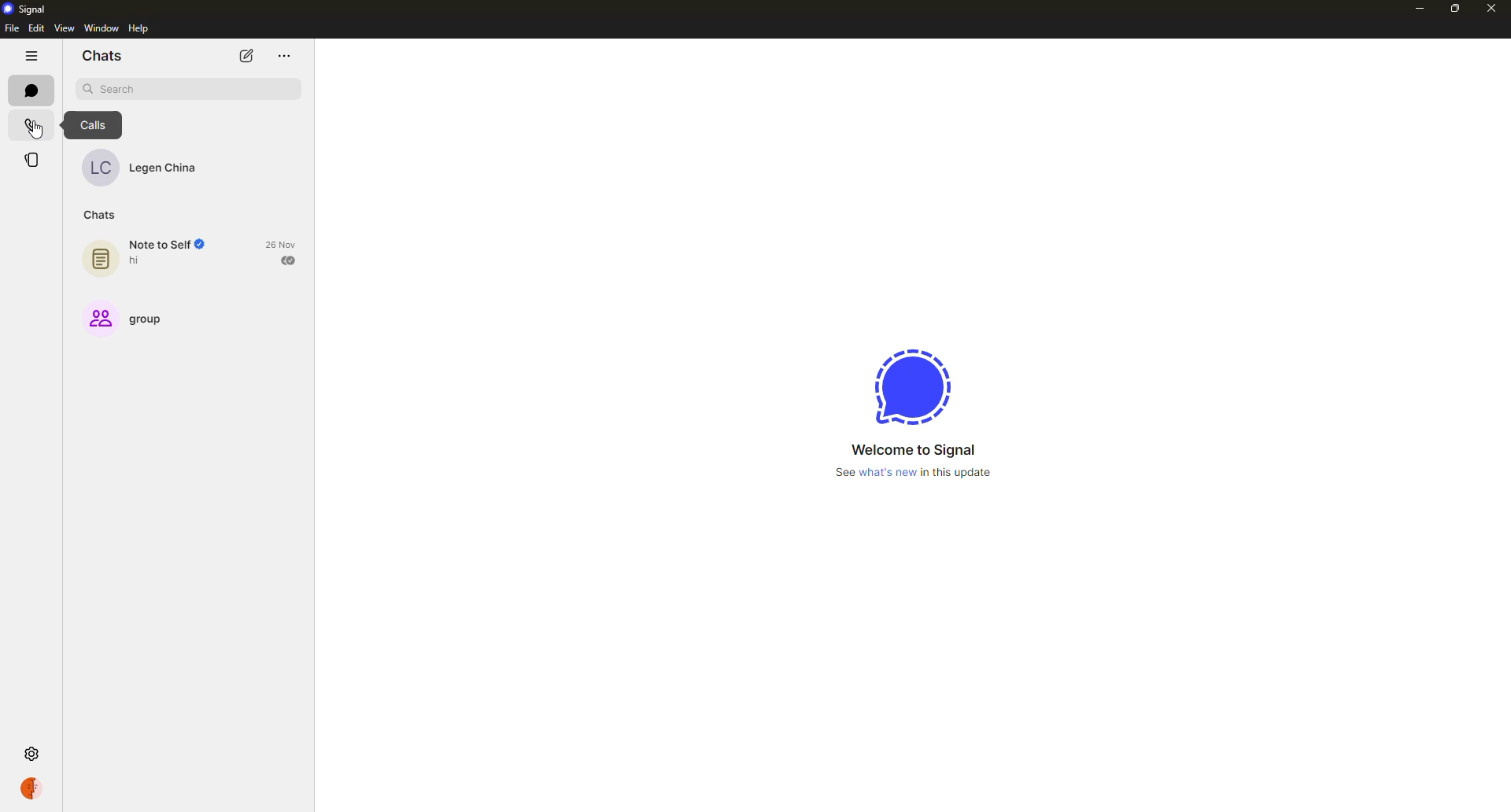 This screenshot has height=812, width=1511. What do you see at coordinates (31, 755) in the screenshot?
I see `settings` at bounding box center [31, 755].